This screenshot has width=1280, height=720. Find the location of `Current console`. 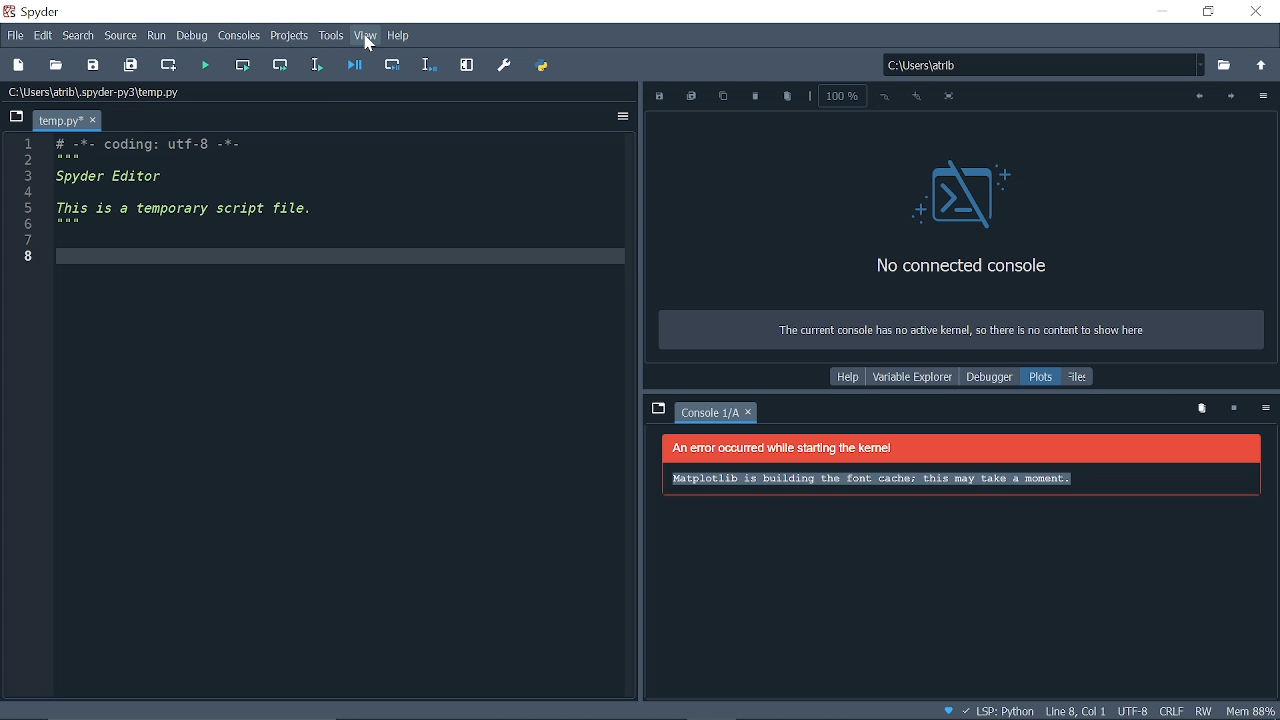

Current console is located at coordinates (710, 414).